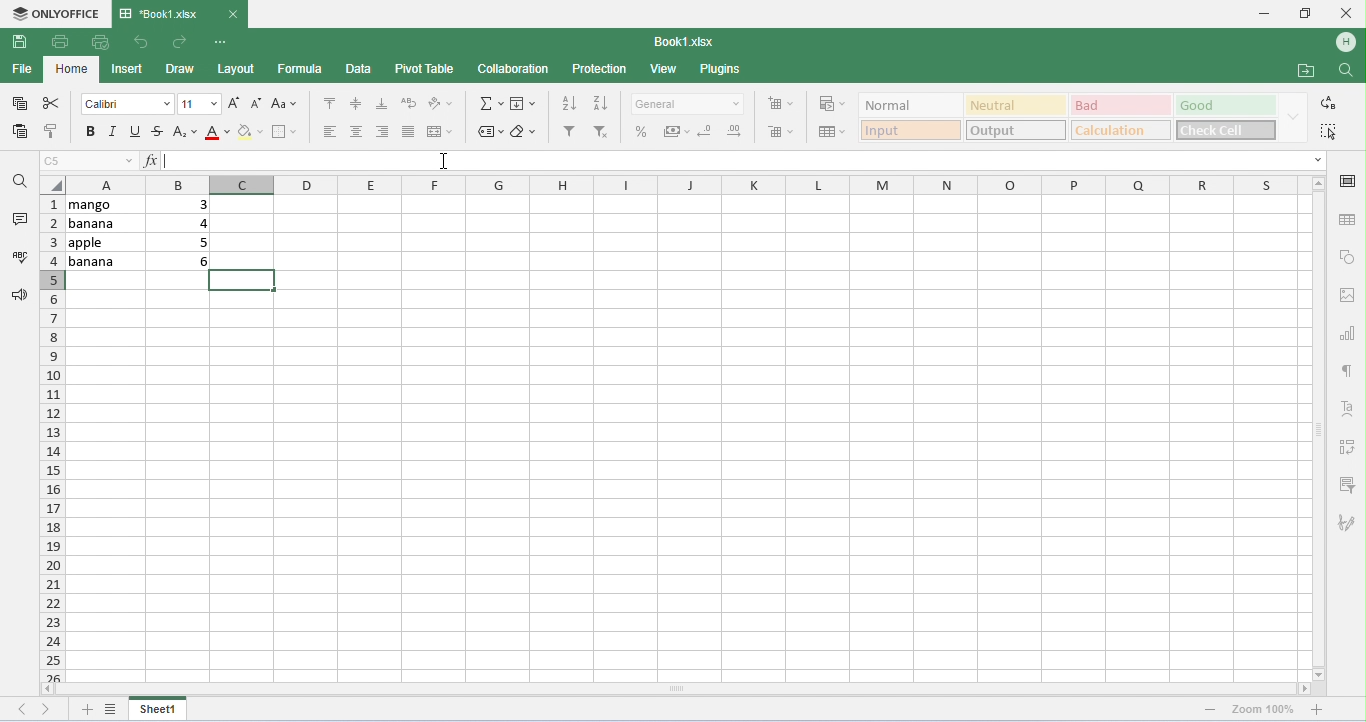 Image resolution: width=1366 pixels, height=722 pixels. Describe the element at coordinates (604, 133) in the screenshot. I see `remove filter` at that location.